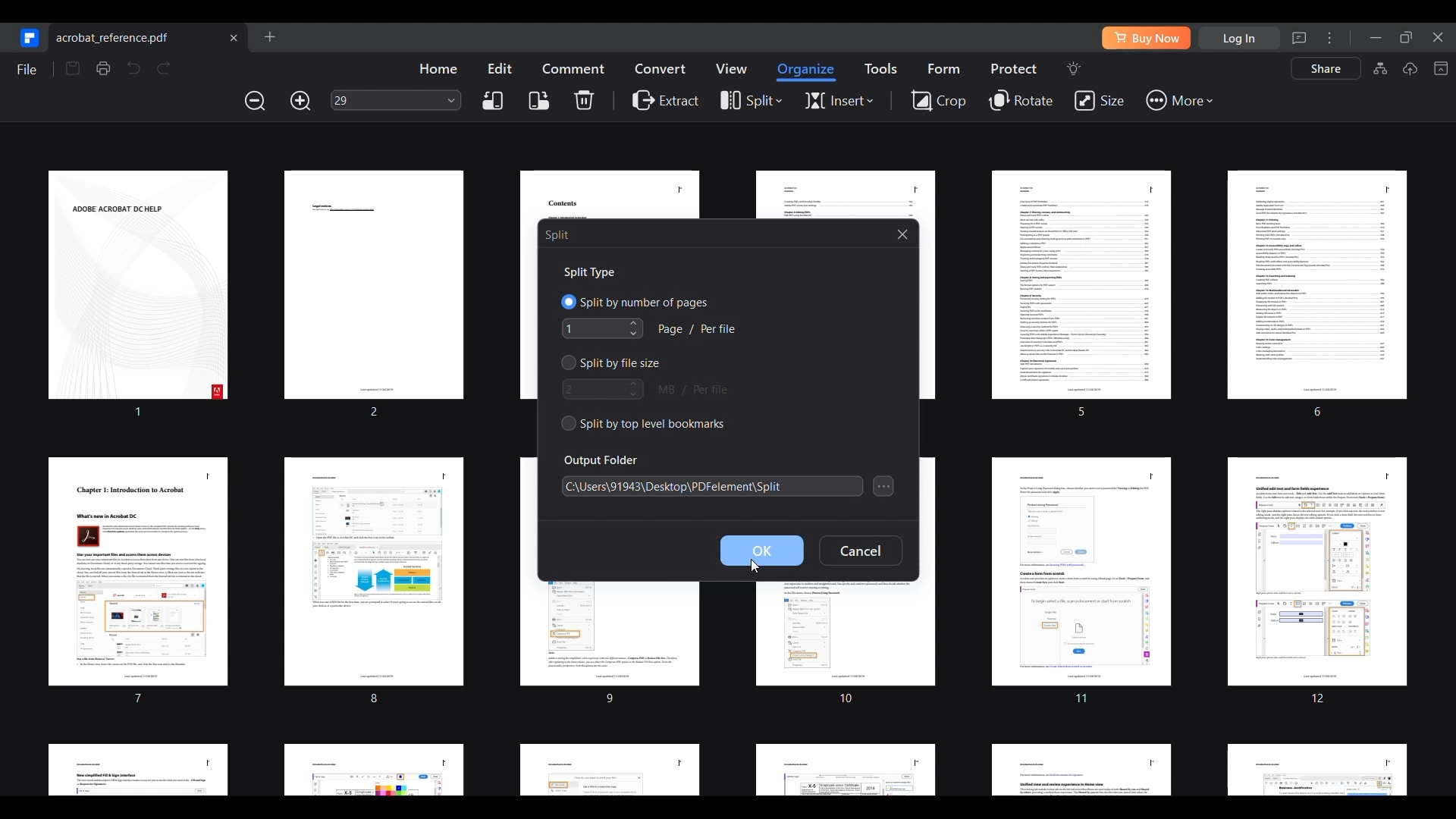 The width and height of the screenshot is (1456, 819). I want to click on Extract PDF, so click(666, 99).